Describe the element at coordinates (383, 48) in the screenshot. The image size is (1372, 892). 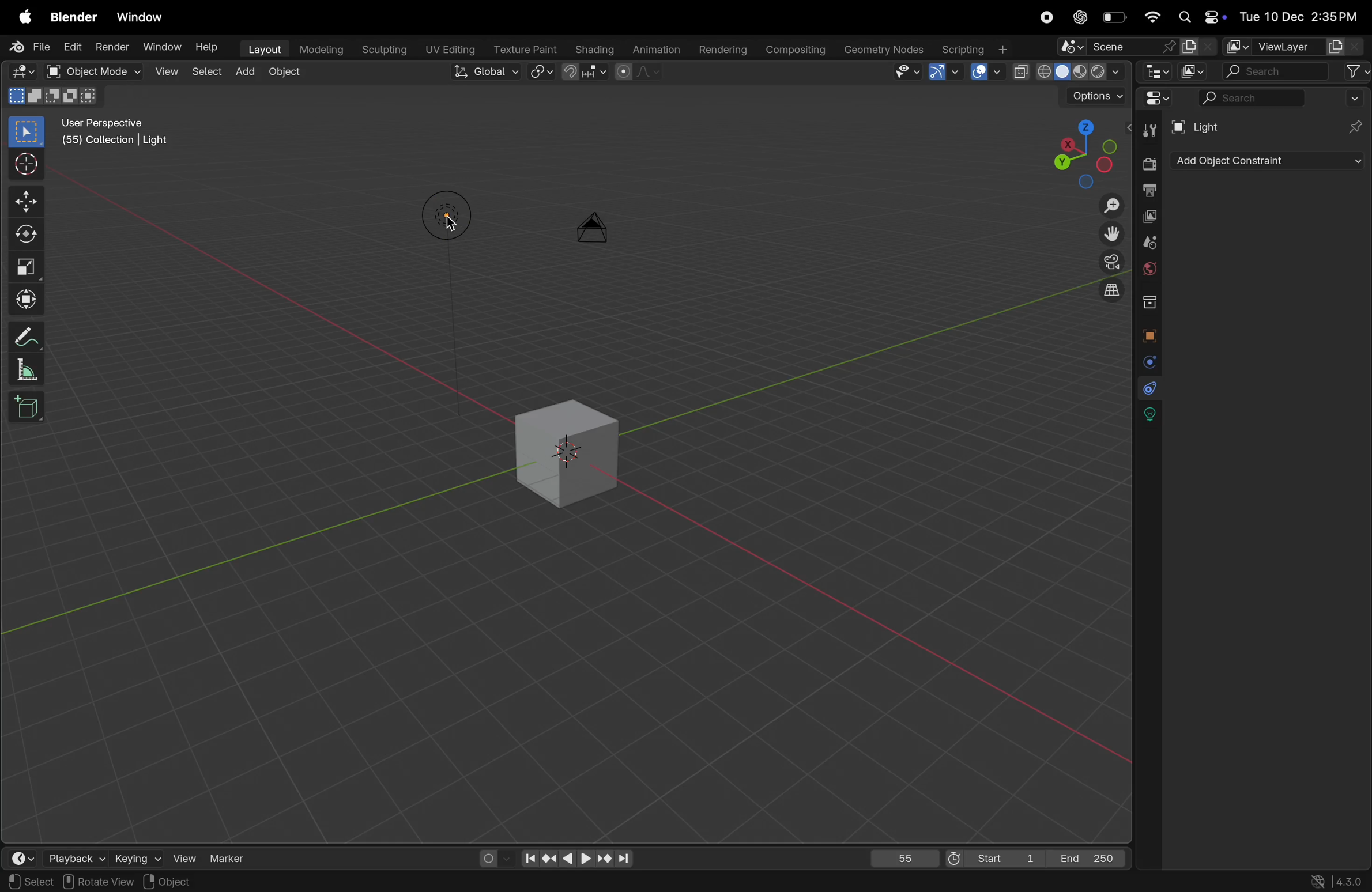
I see `sculptiong` at that location.